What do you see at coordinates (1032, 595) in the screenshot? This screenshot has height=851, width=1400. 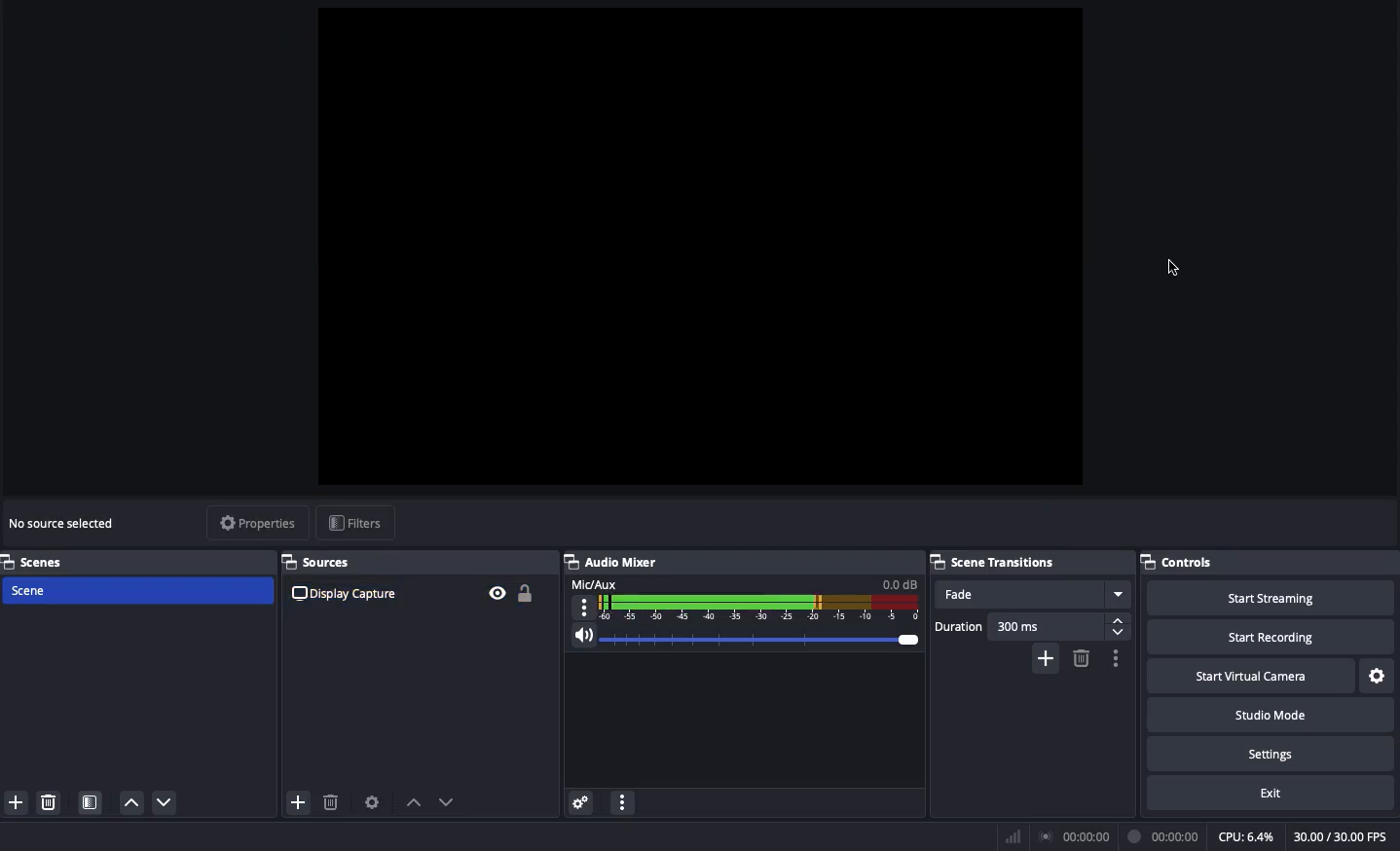 I see `Fade` at bounding box center [1032, 595].